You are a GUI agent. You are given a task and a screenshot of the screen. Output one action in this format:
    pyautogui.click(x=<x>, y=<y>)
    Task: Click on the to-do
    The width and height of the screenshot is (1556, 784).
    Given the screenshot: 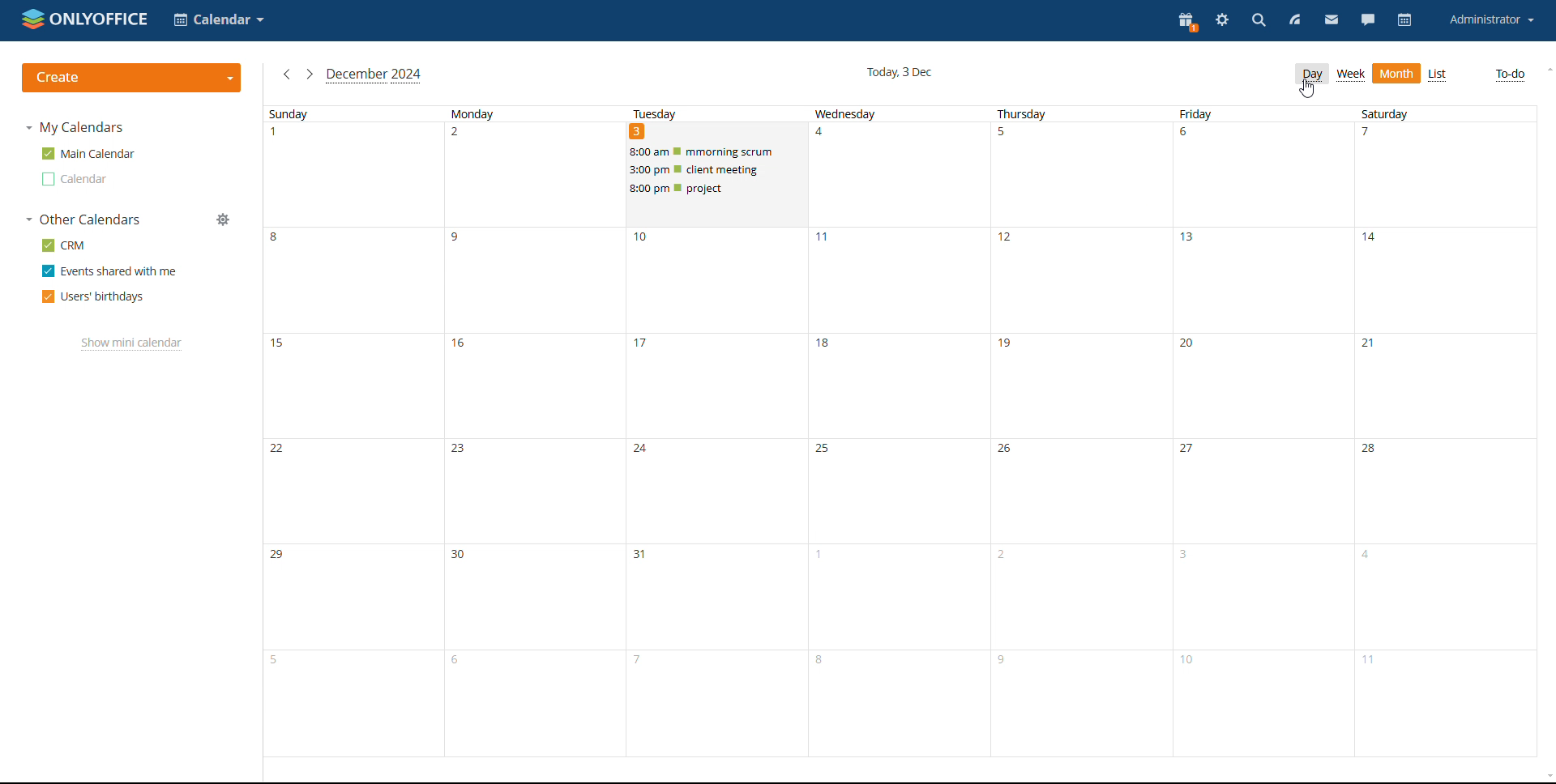 What is the action you would take?
    pyautogui.click(x=1511, y=75)
    